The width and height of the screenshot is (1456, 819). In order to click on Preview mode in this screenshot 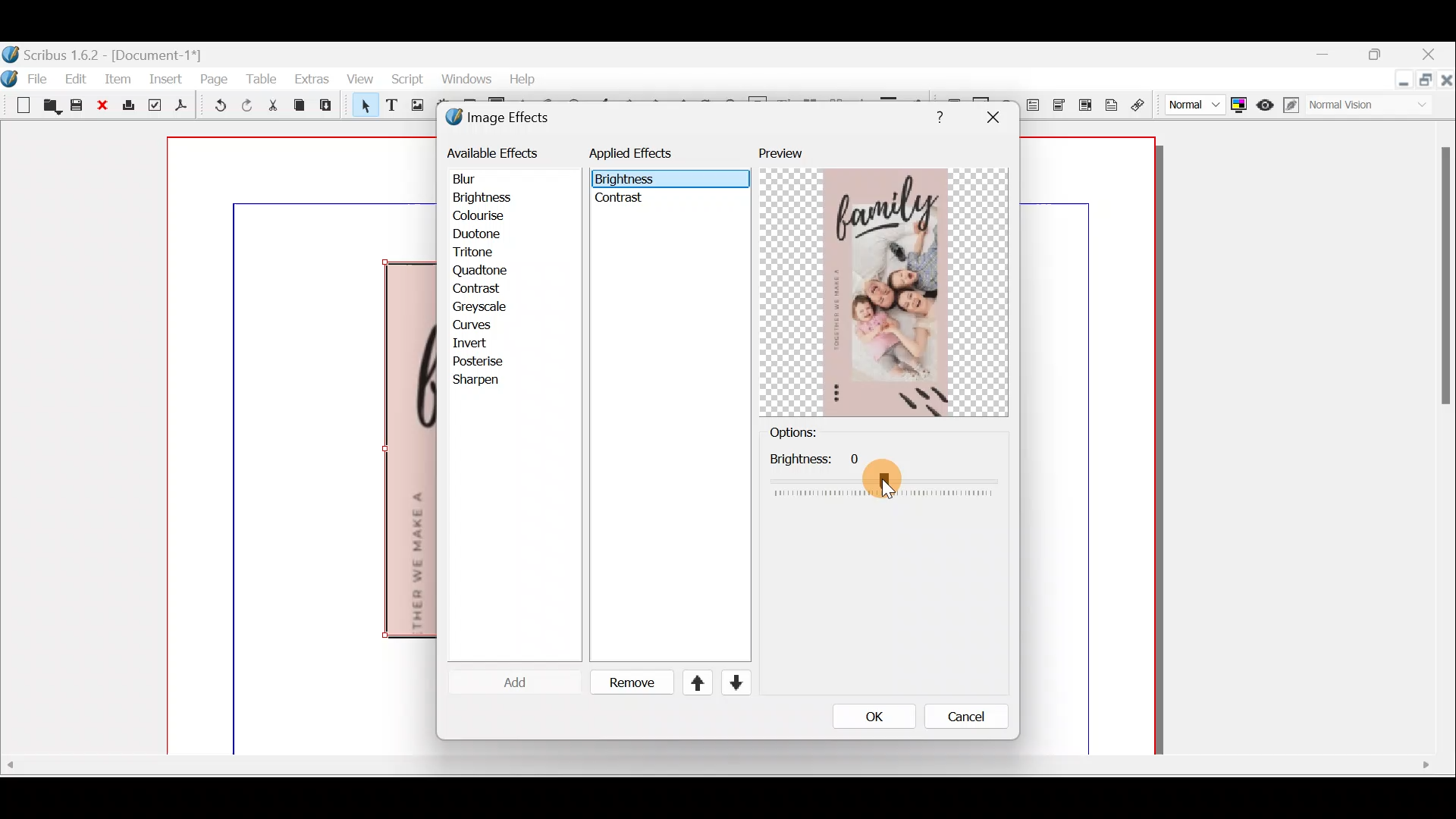, I will do `click(1266, 102)`.